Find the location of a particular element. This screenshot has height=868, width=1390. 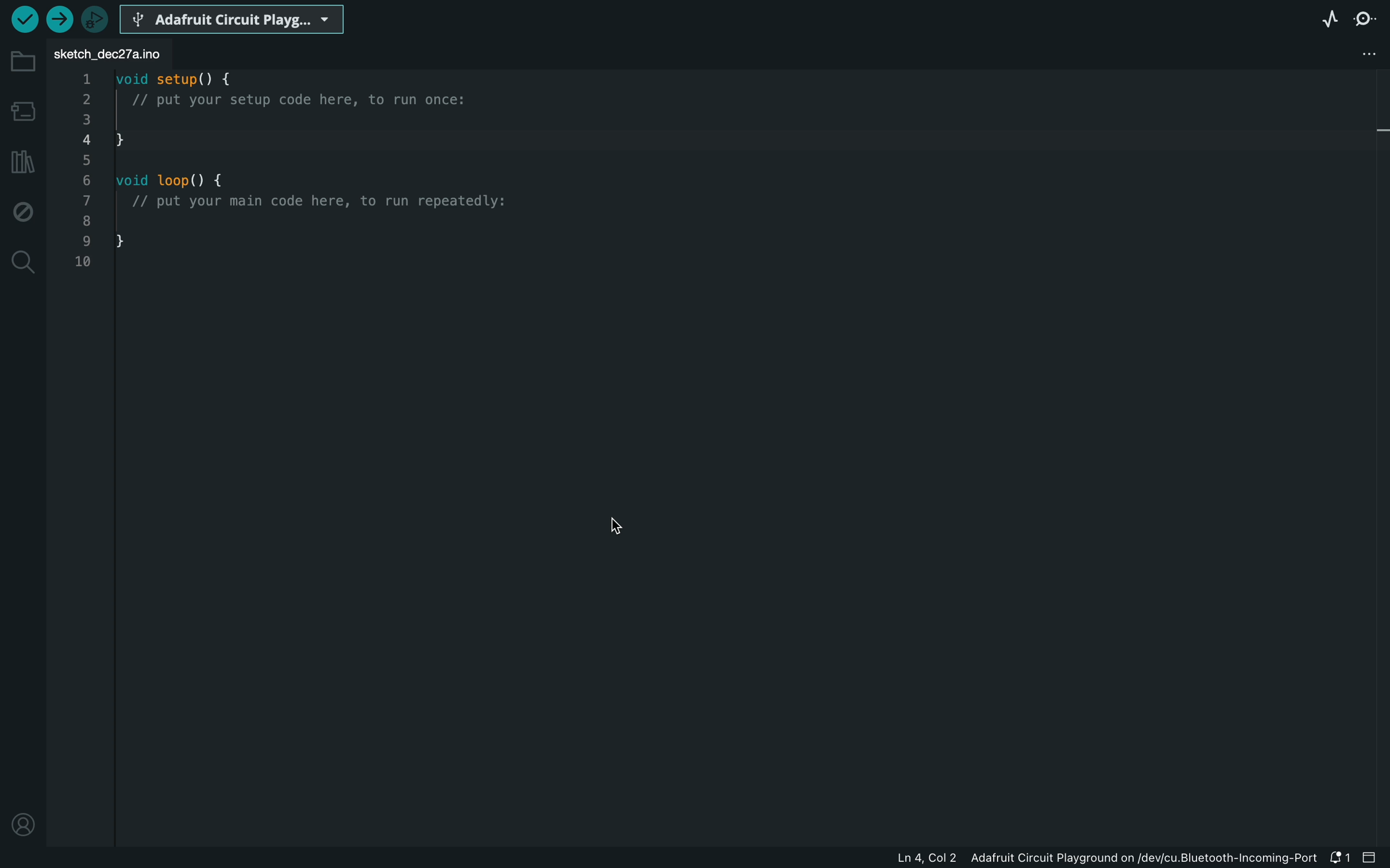

close slide bar is located at coordinates (1372, 857).